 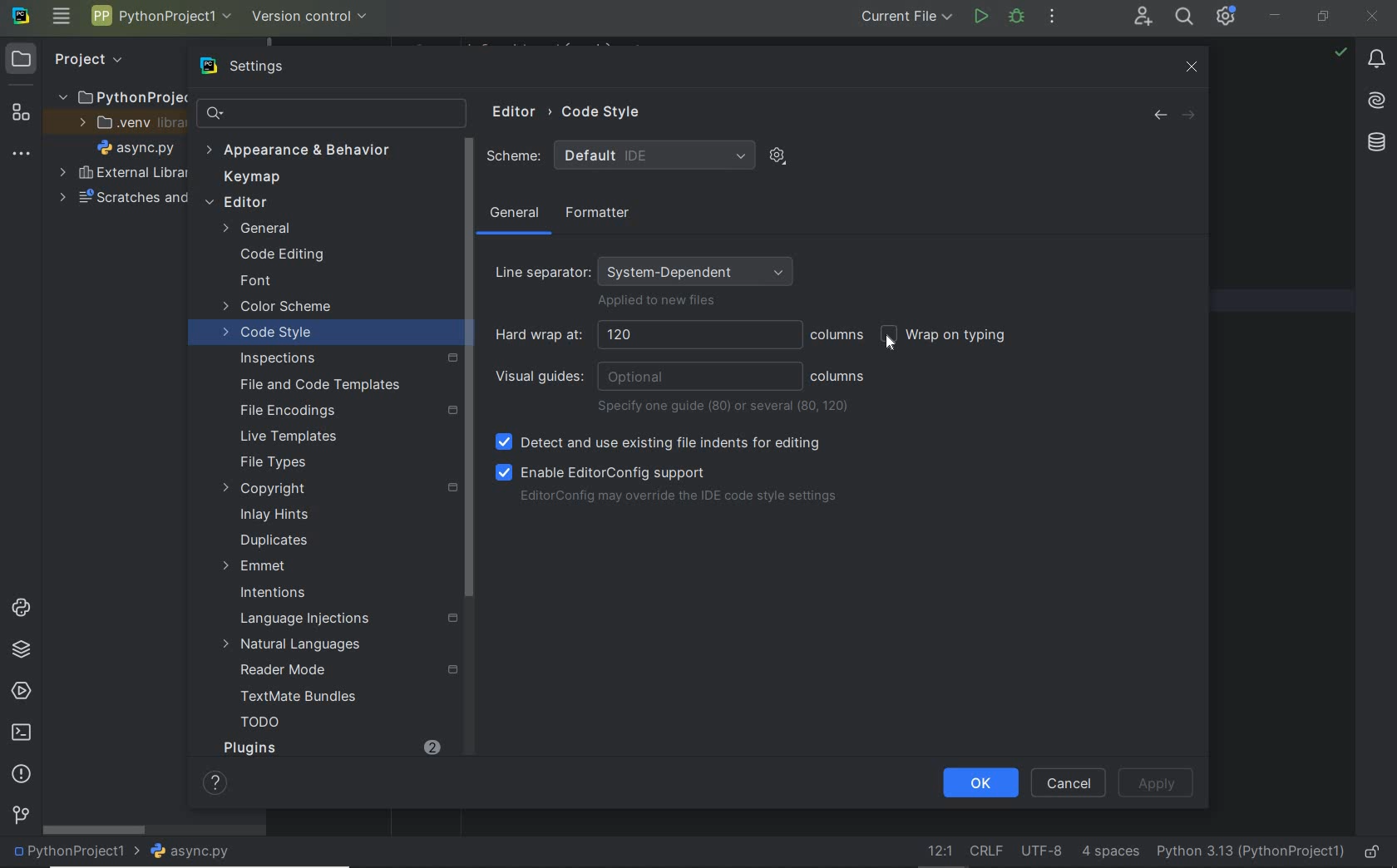 I want to click on specify one guide or several, so click(x=726, y=407).